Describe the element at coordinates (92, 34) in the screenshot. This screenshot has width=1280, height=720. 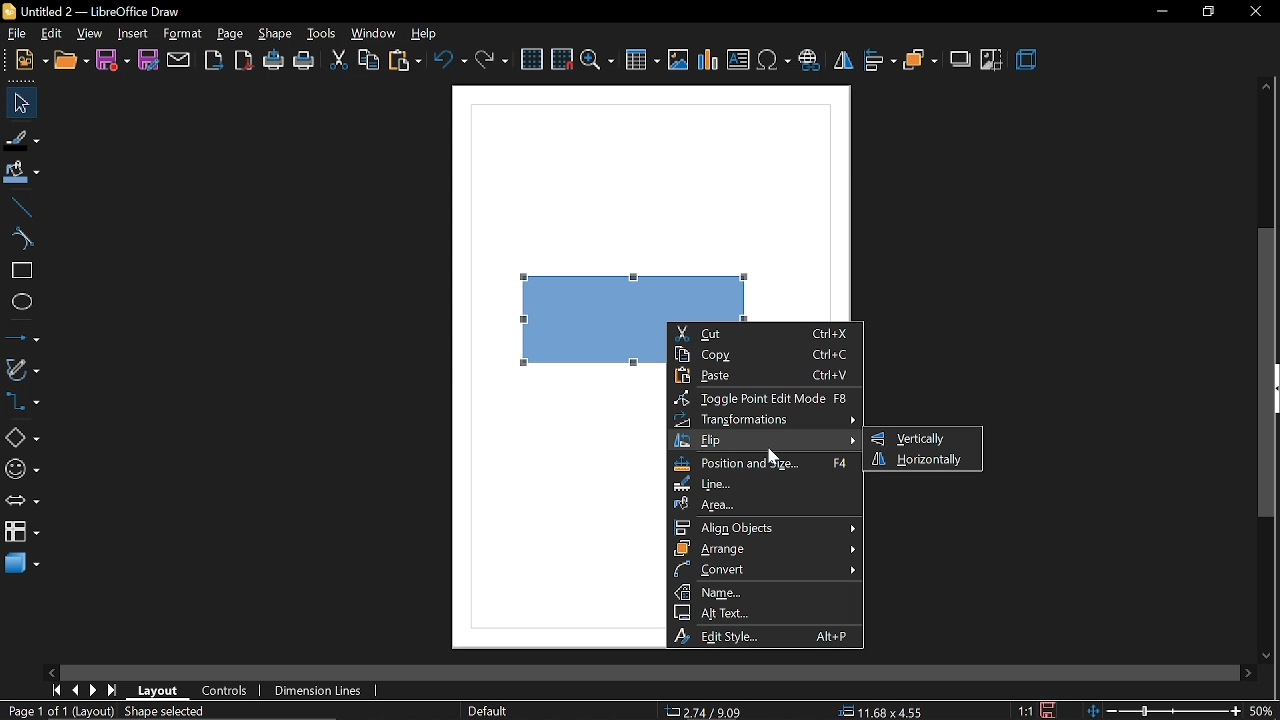
I see `view` at that location.